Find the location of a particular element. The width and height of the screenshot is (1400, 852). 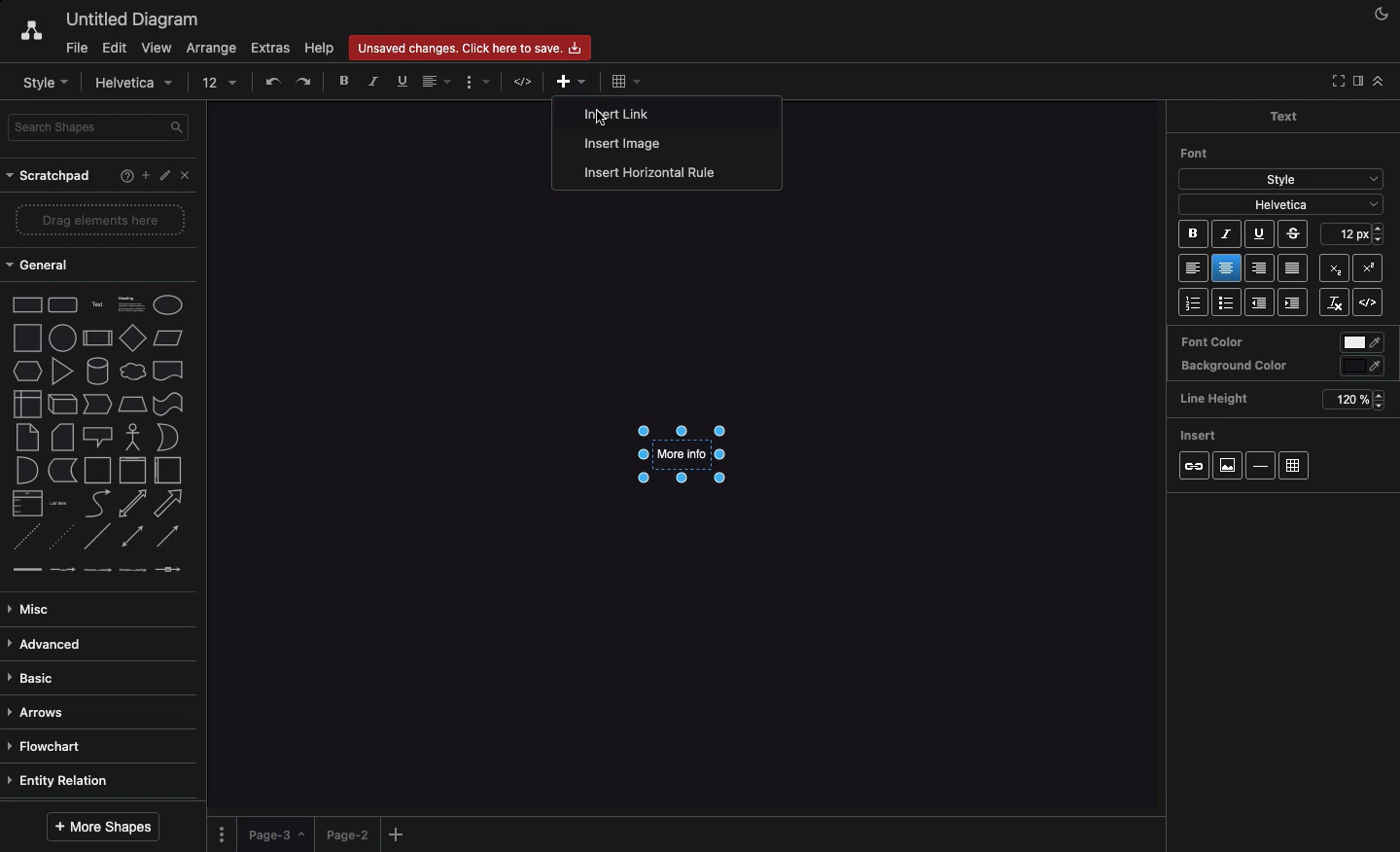

list item is located at coordinates (59, 504).